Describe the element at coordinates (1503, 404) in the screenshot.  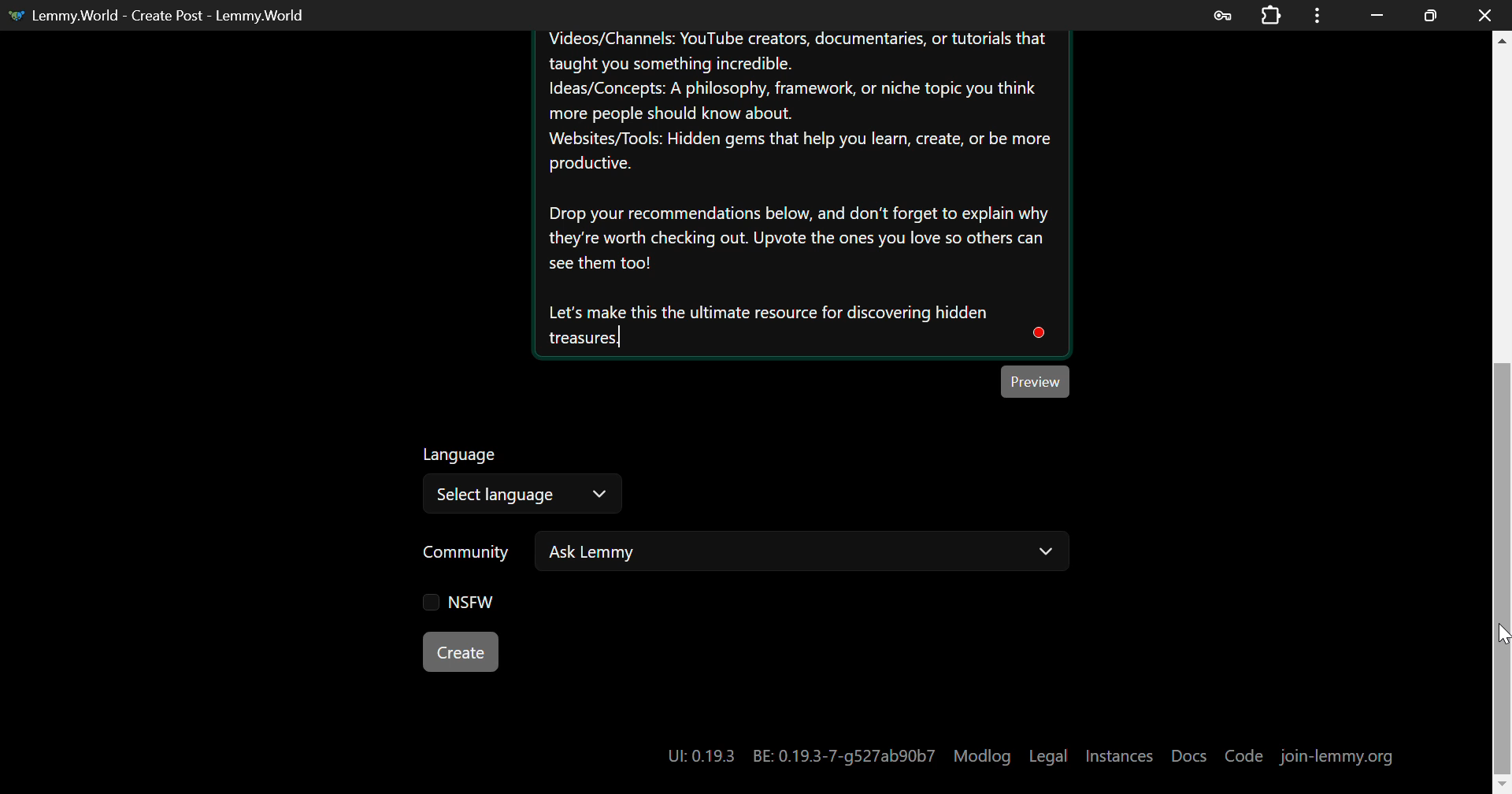
I see `Scroll Bar` at that location.